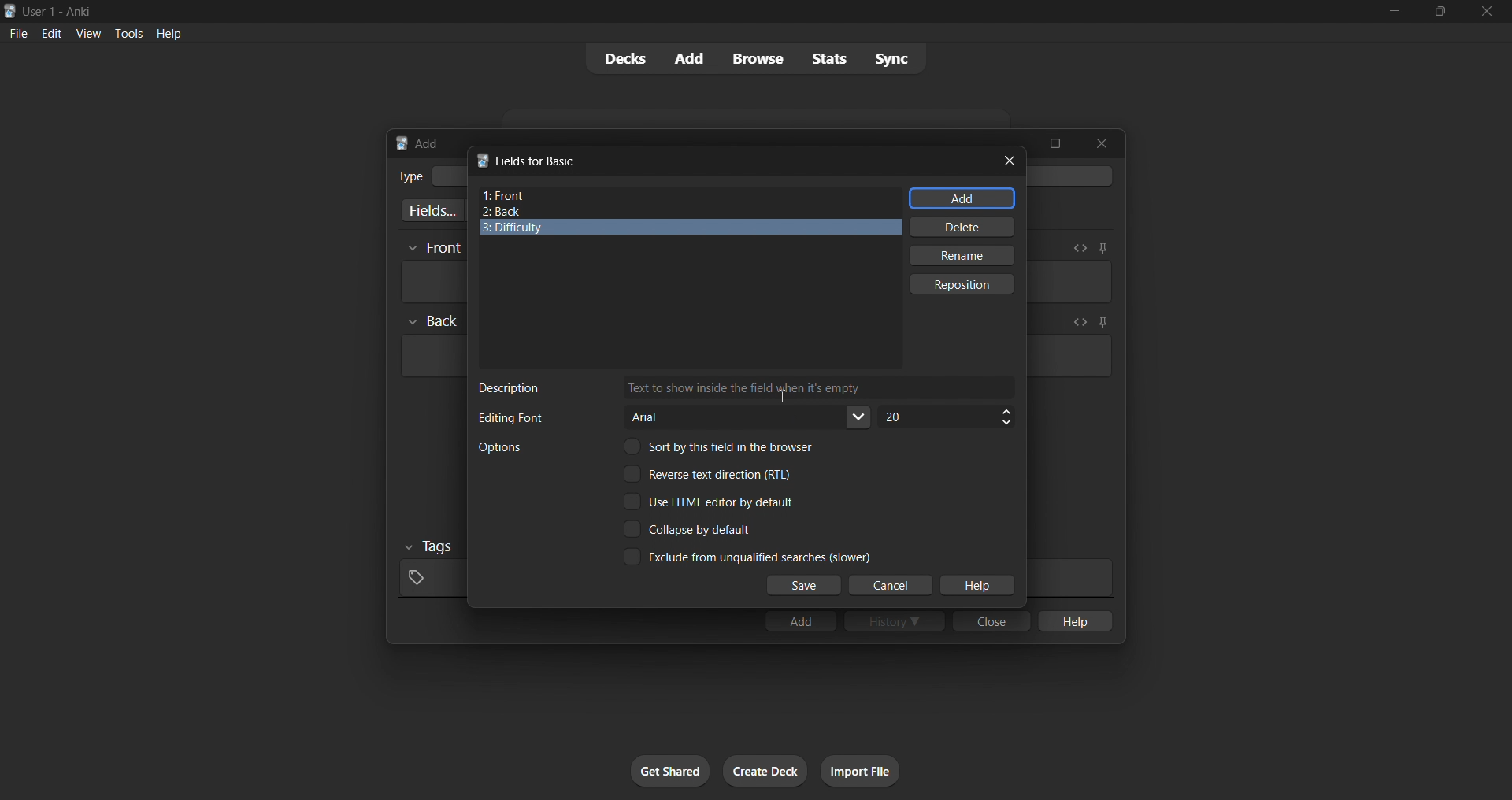  Describe the element at coordinates (891, 57) in the screenshot. I see `sync` at that location.